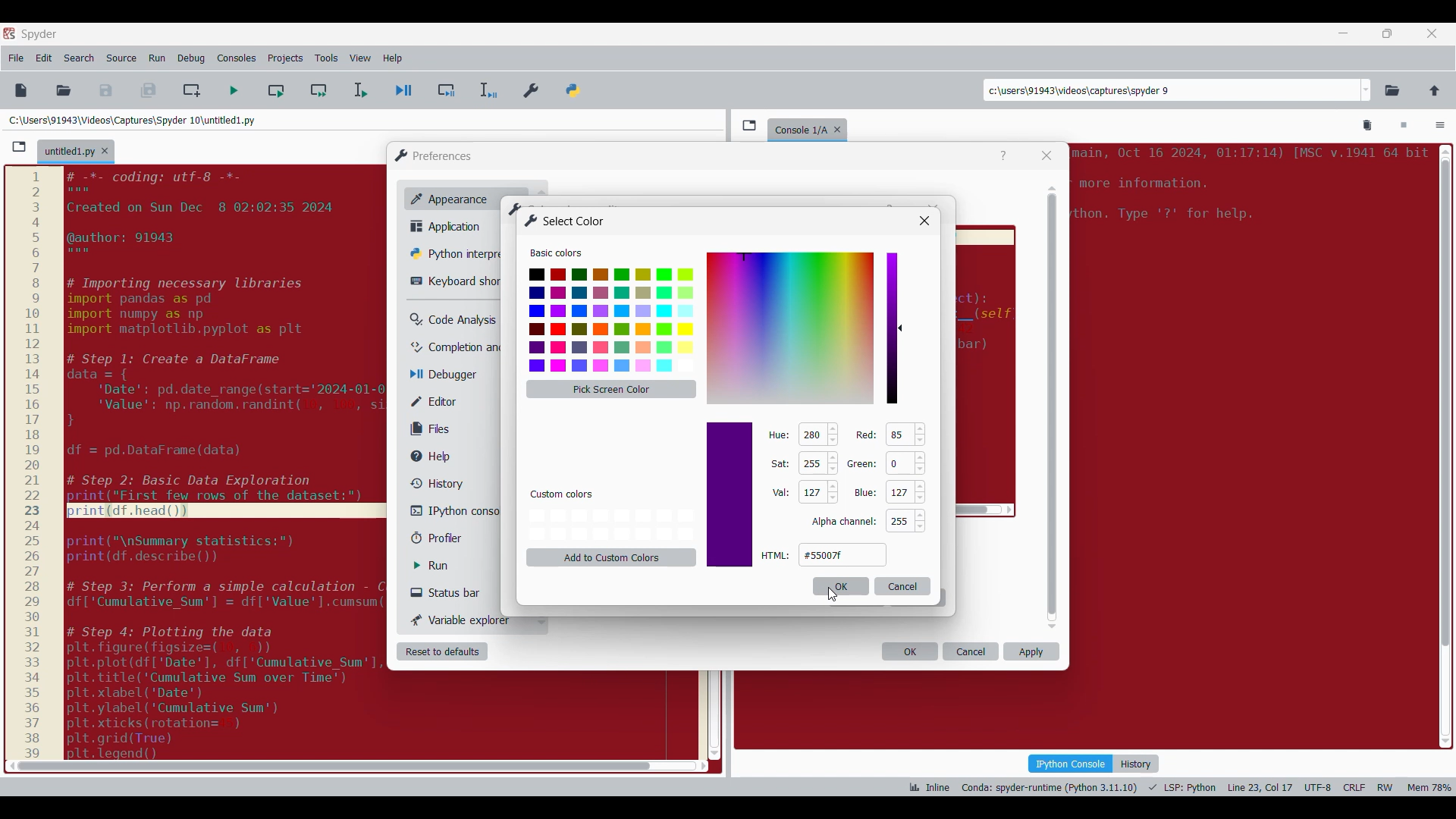  What do you see at coordinates (864, 435) in the screenshot?
I see `red` at bounding box center [864, 435].